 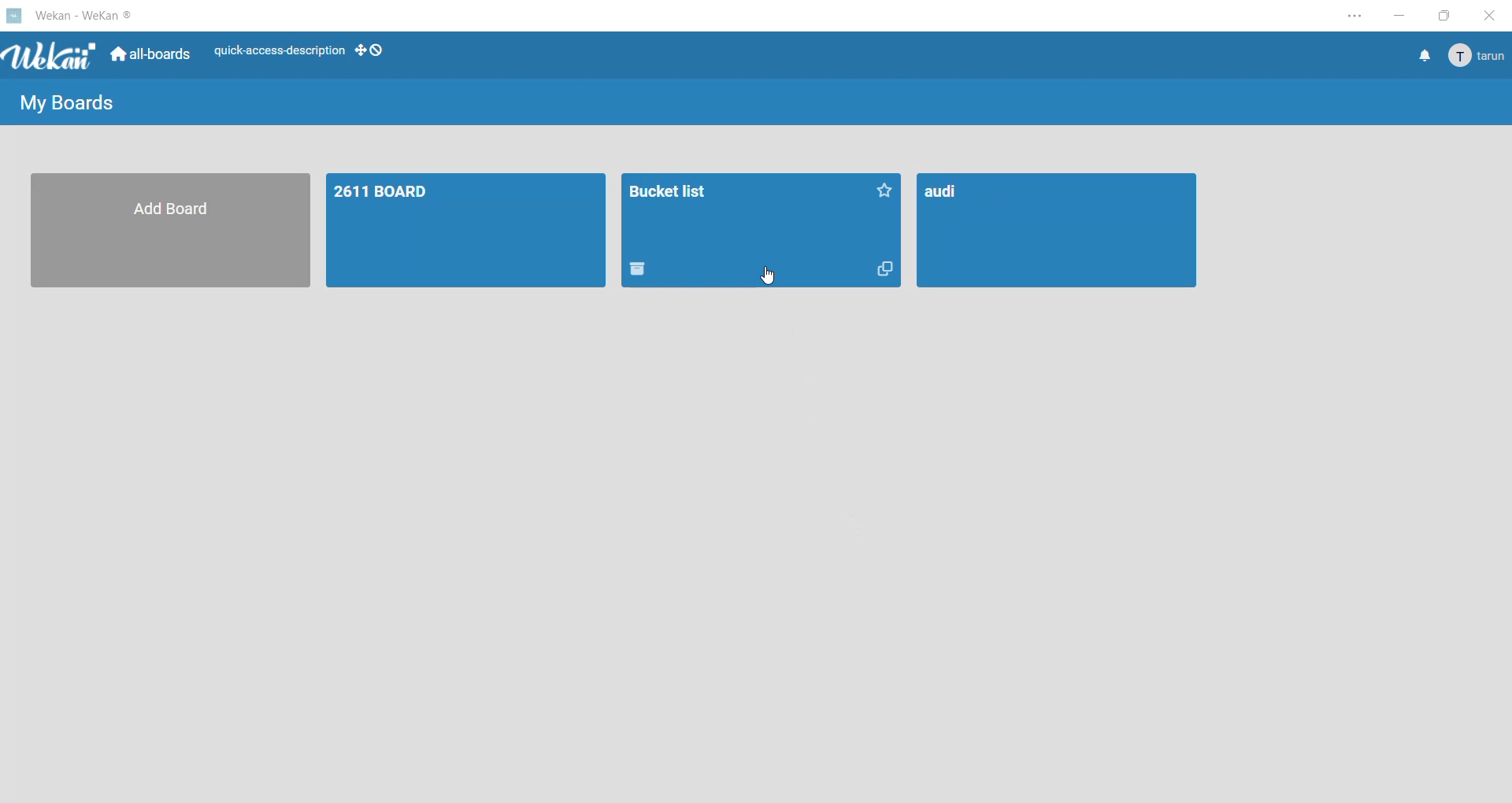 I want to click on Copy, so click(x=884, y=275).